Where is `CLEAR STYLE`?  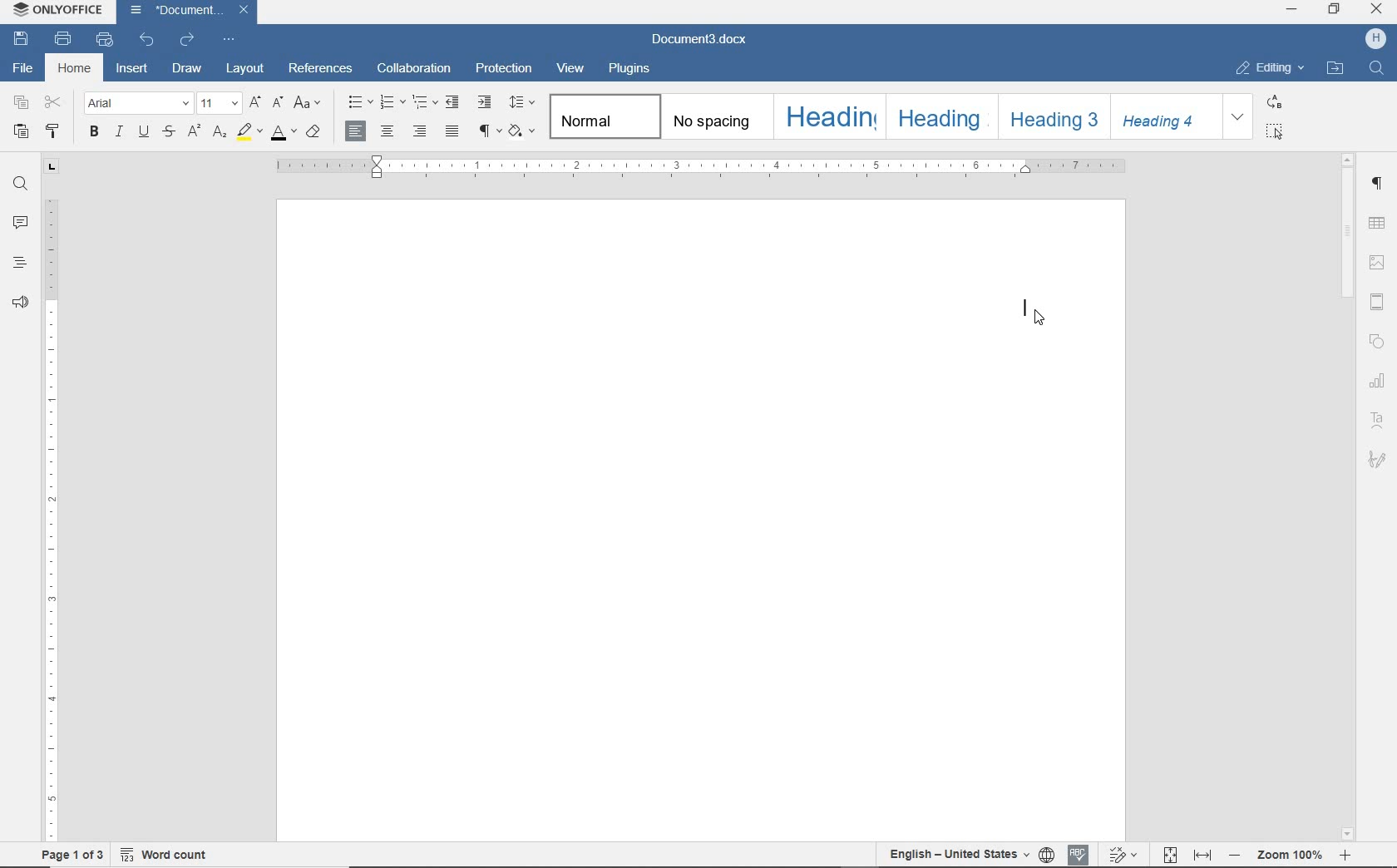 CLEAR STYLE is located at coordinates (315, 131).